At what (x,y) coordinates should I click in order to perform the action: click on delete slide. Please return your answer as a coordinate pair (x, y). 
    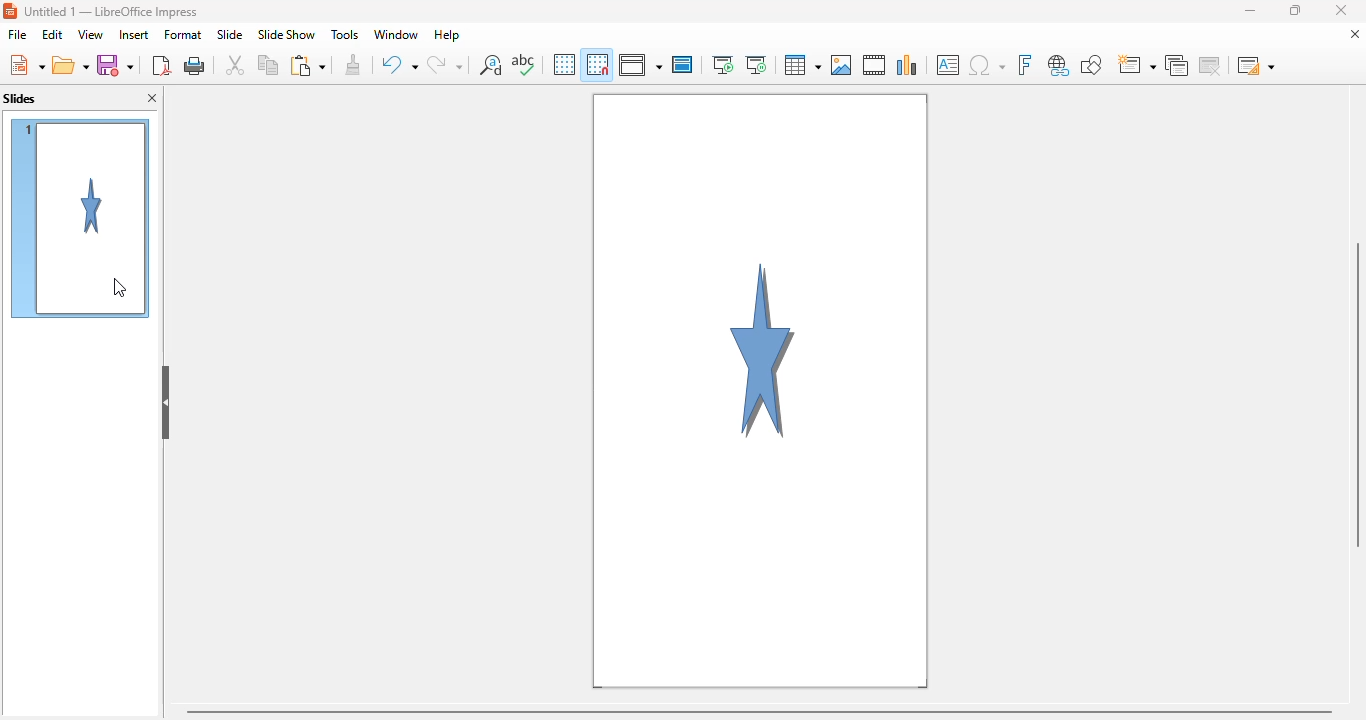
    Looking at the image, I should click on (1210, 65).